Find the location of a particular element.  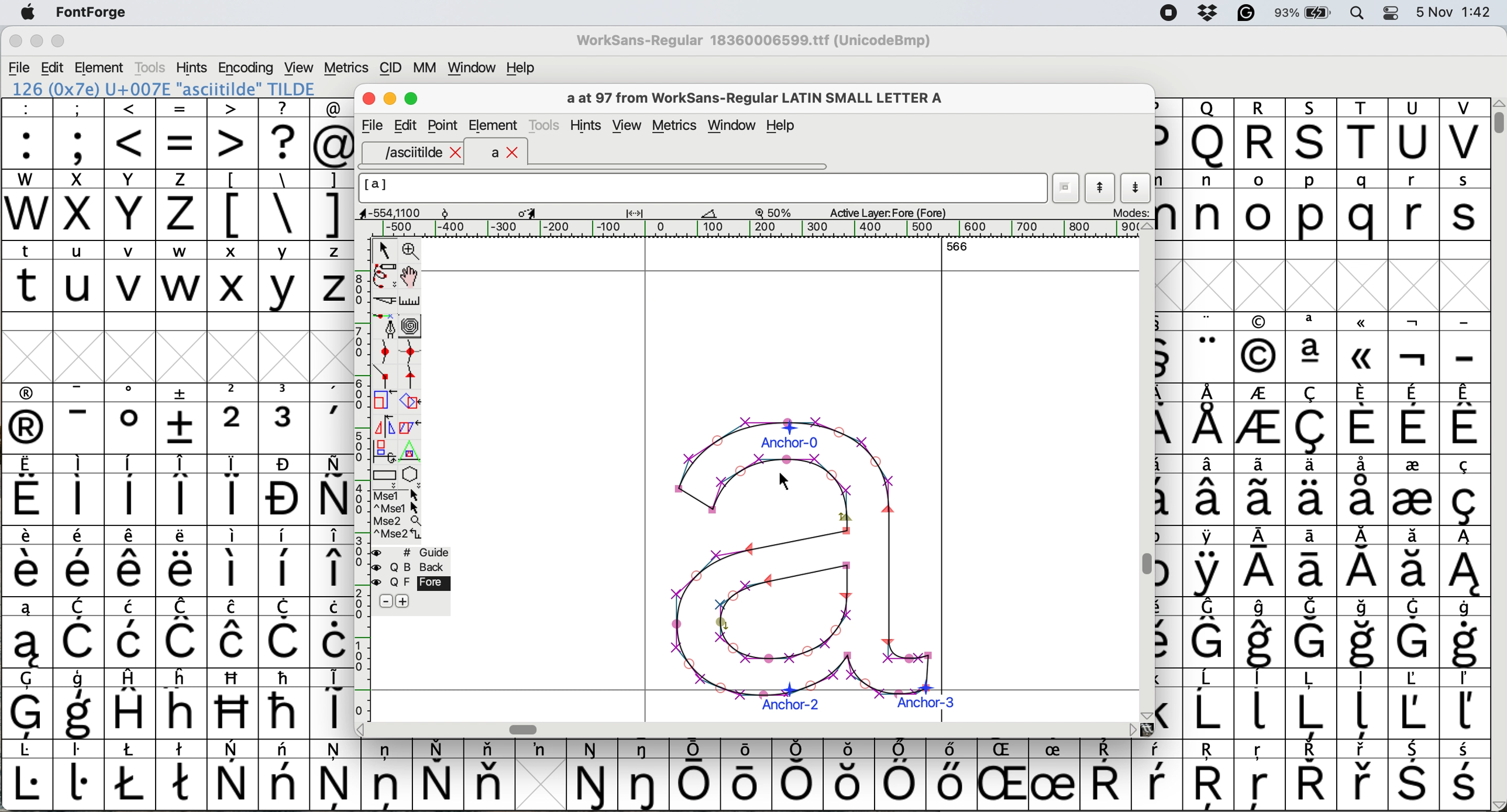

flip selection is located at coordinates (384, 425).